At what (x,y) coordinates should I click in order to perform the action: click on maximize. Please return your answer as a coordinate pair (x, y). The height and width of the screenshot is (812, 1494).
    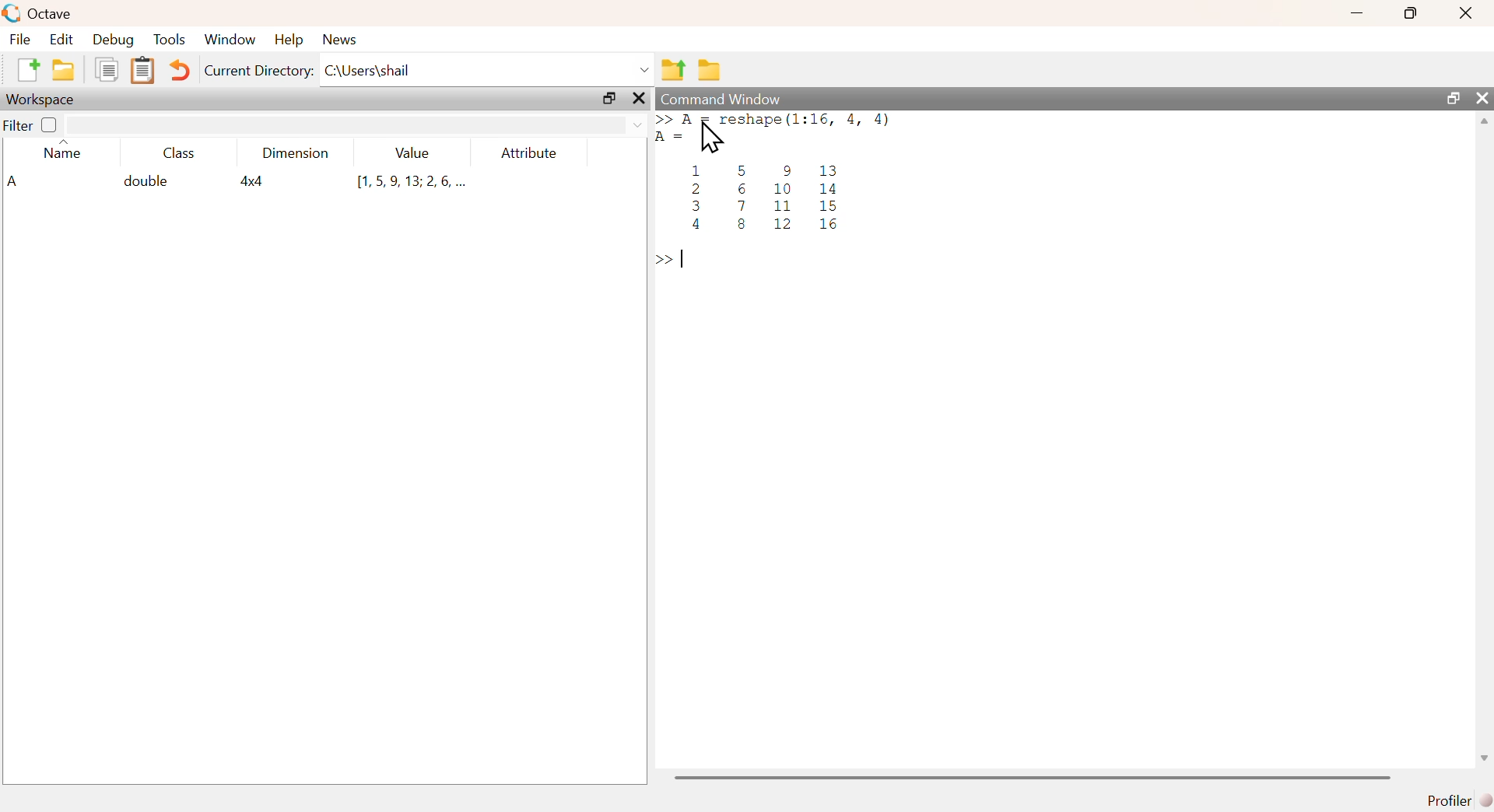
    Looking at the image, I should click on (608, 100).